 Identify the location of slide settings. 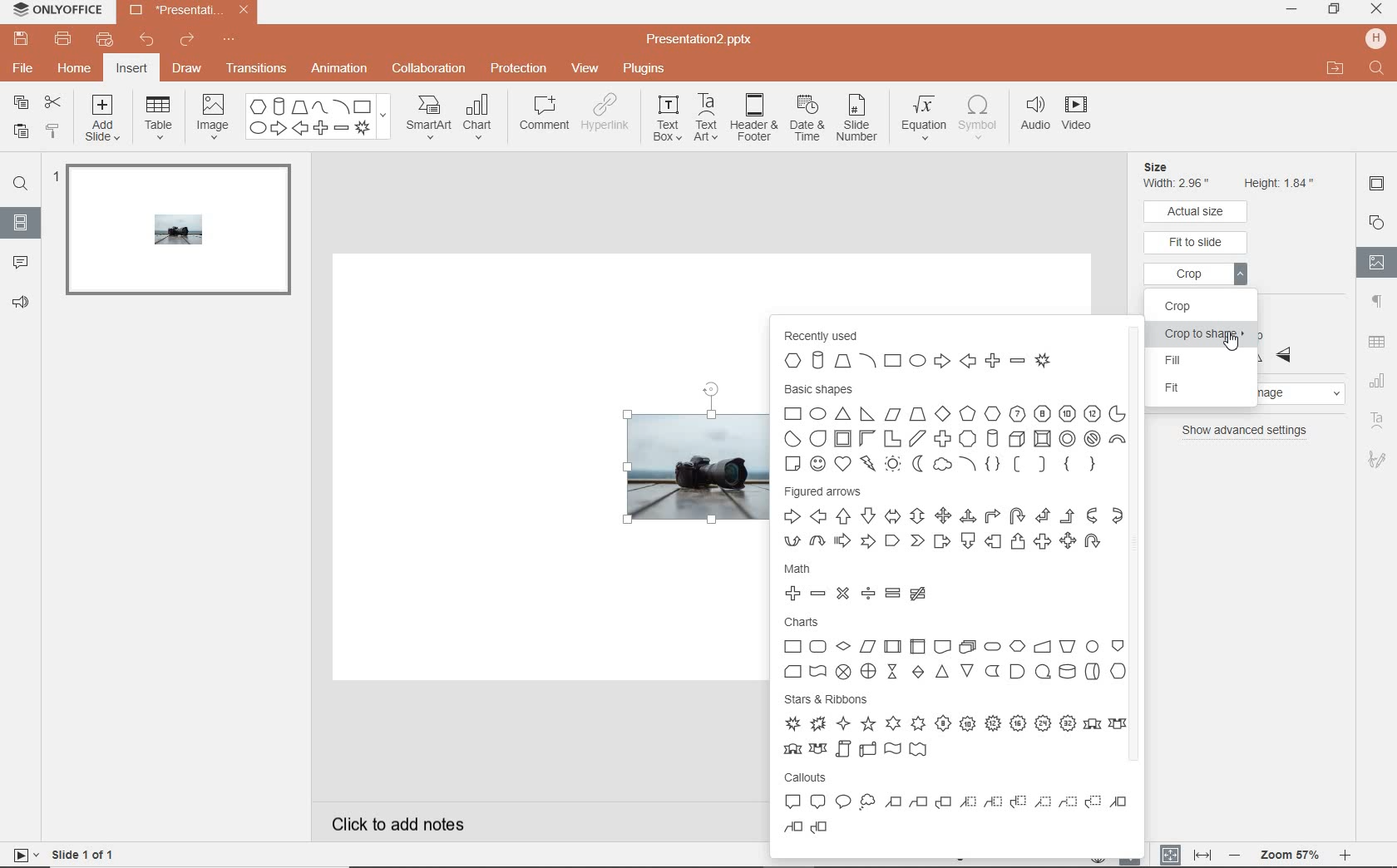
(1377, 186).